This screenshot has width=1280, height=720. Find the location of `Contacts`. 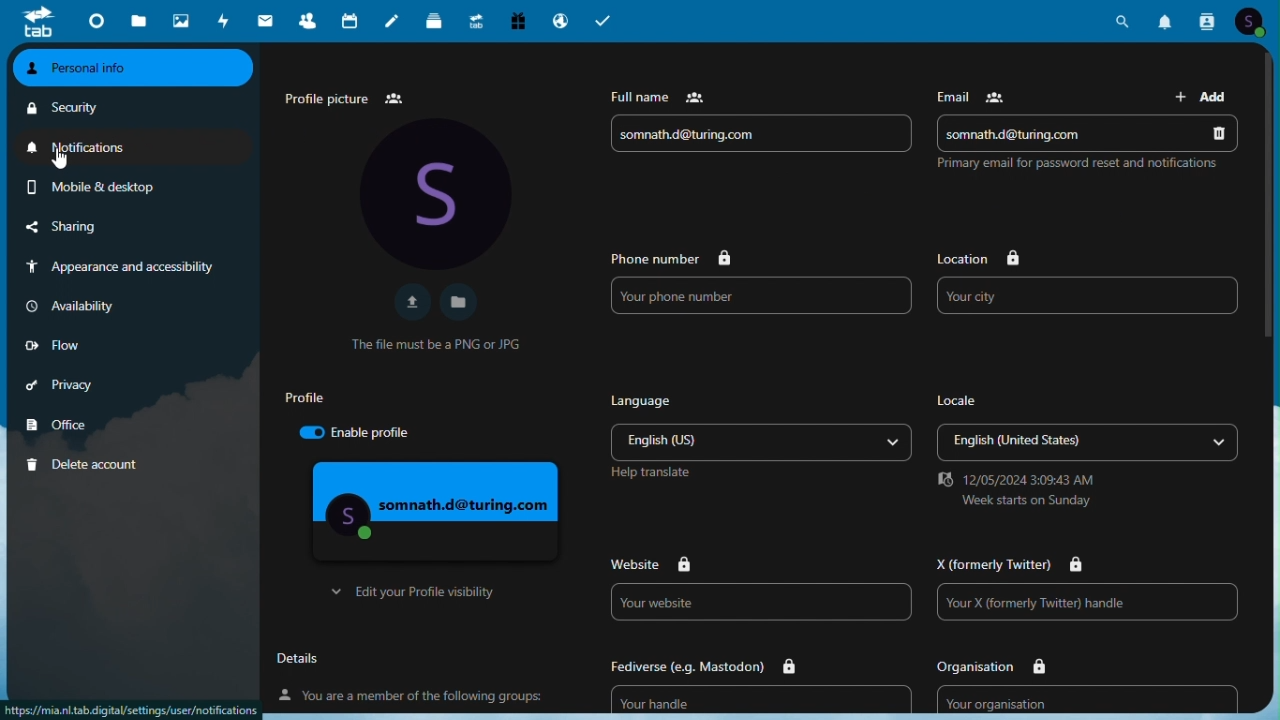

Contacts is located at coordinates (309, 18).